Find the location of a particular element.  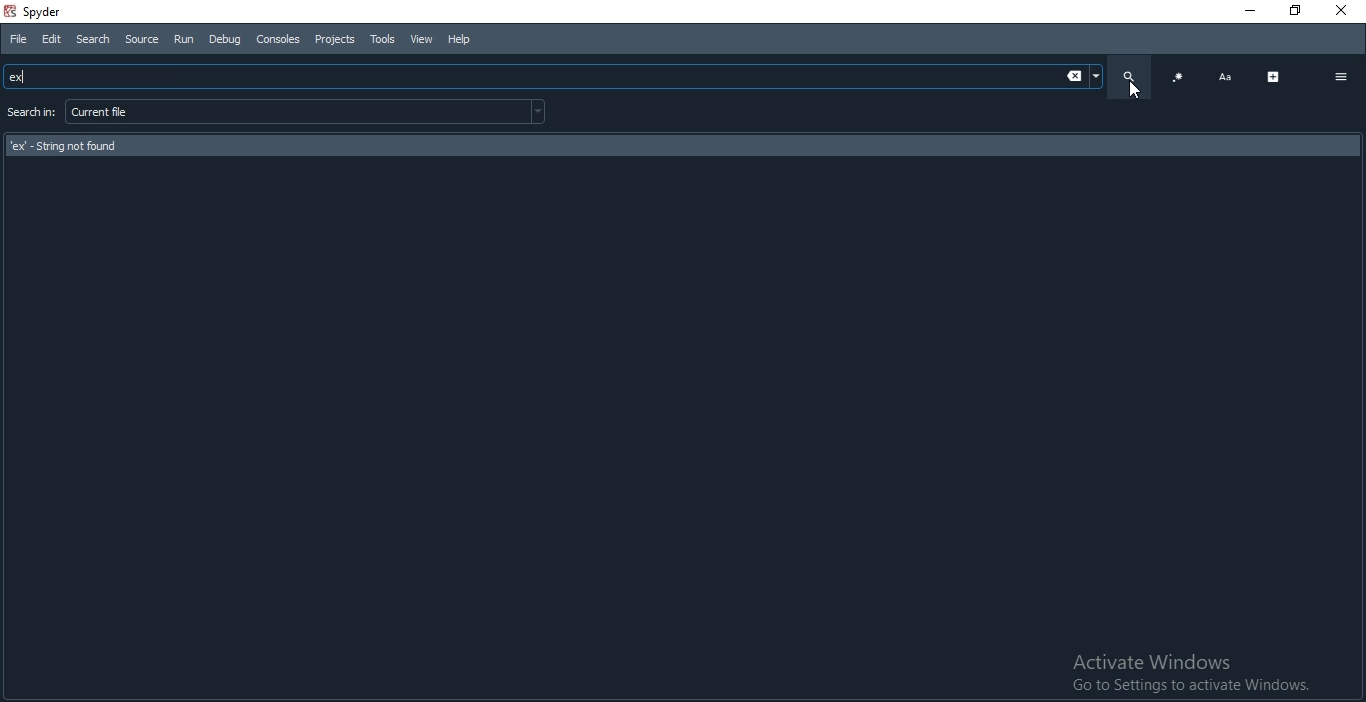

Consoles is located at coordinates (278, 39).